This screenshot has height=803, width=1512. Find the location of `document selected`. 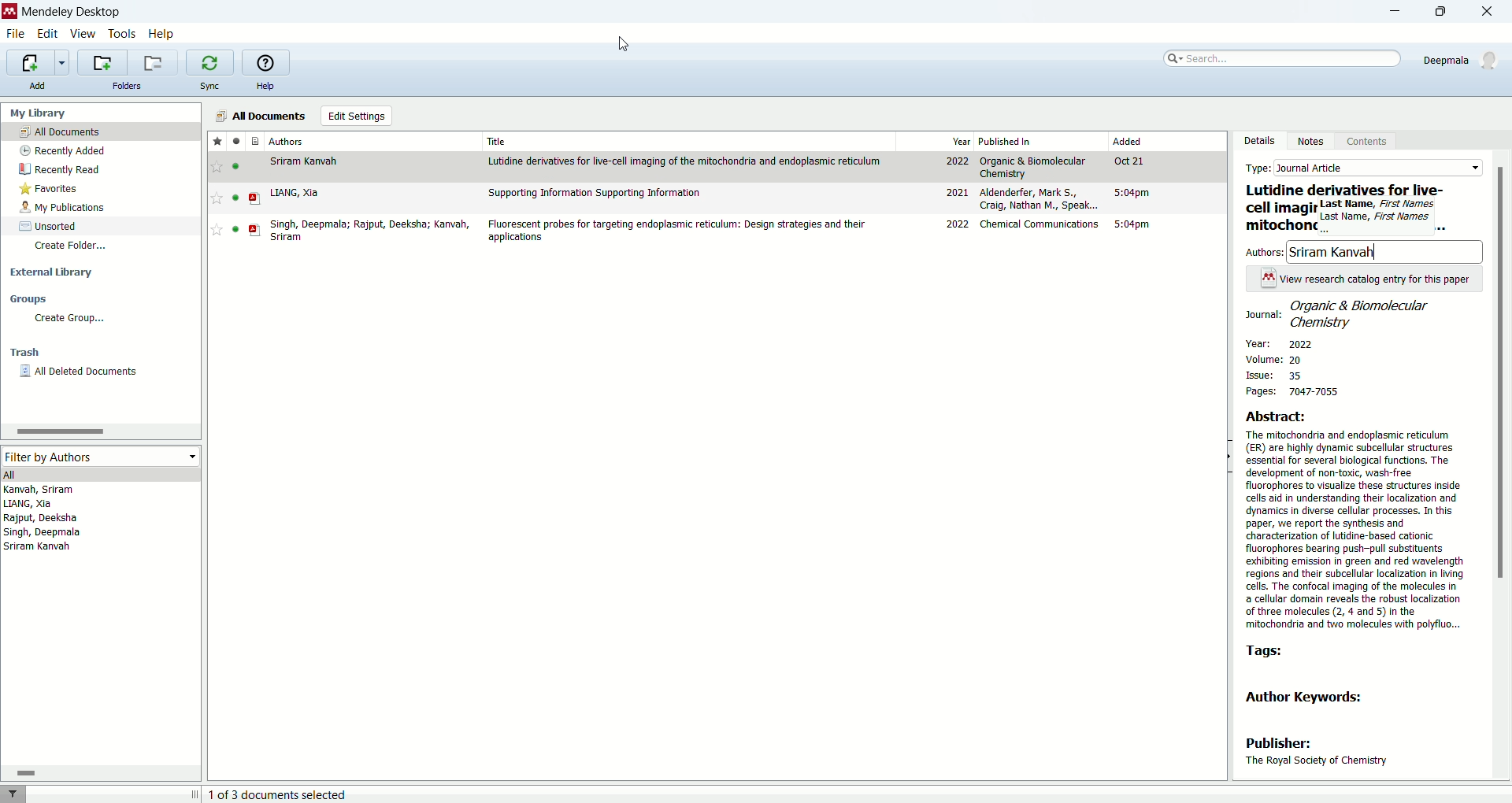

document selected is located at coordinates (280, 795).